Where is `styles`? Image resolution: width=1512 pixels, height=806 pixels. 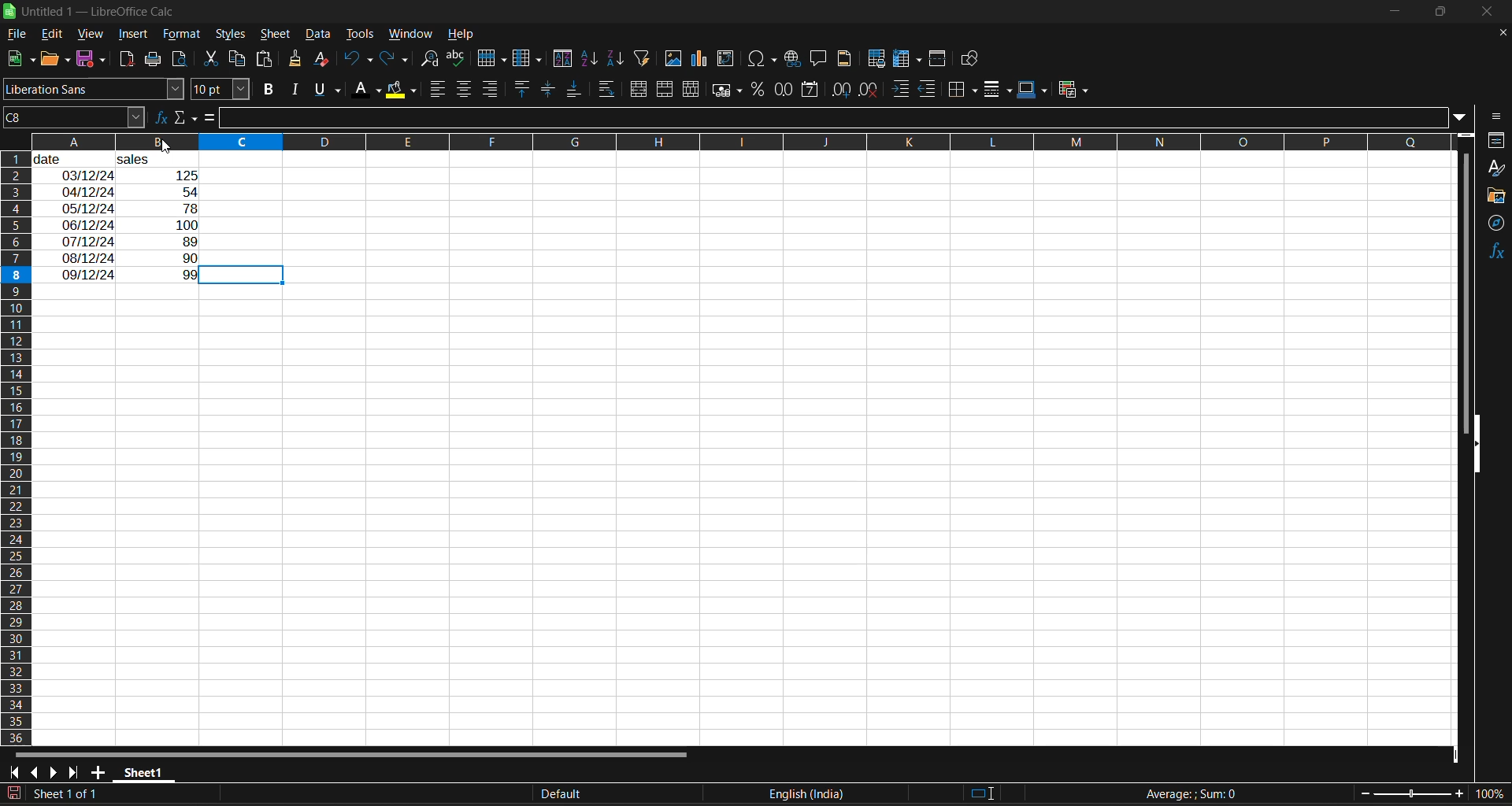
styles is located at coordinates (231, 35).